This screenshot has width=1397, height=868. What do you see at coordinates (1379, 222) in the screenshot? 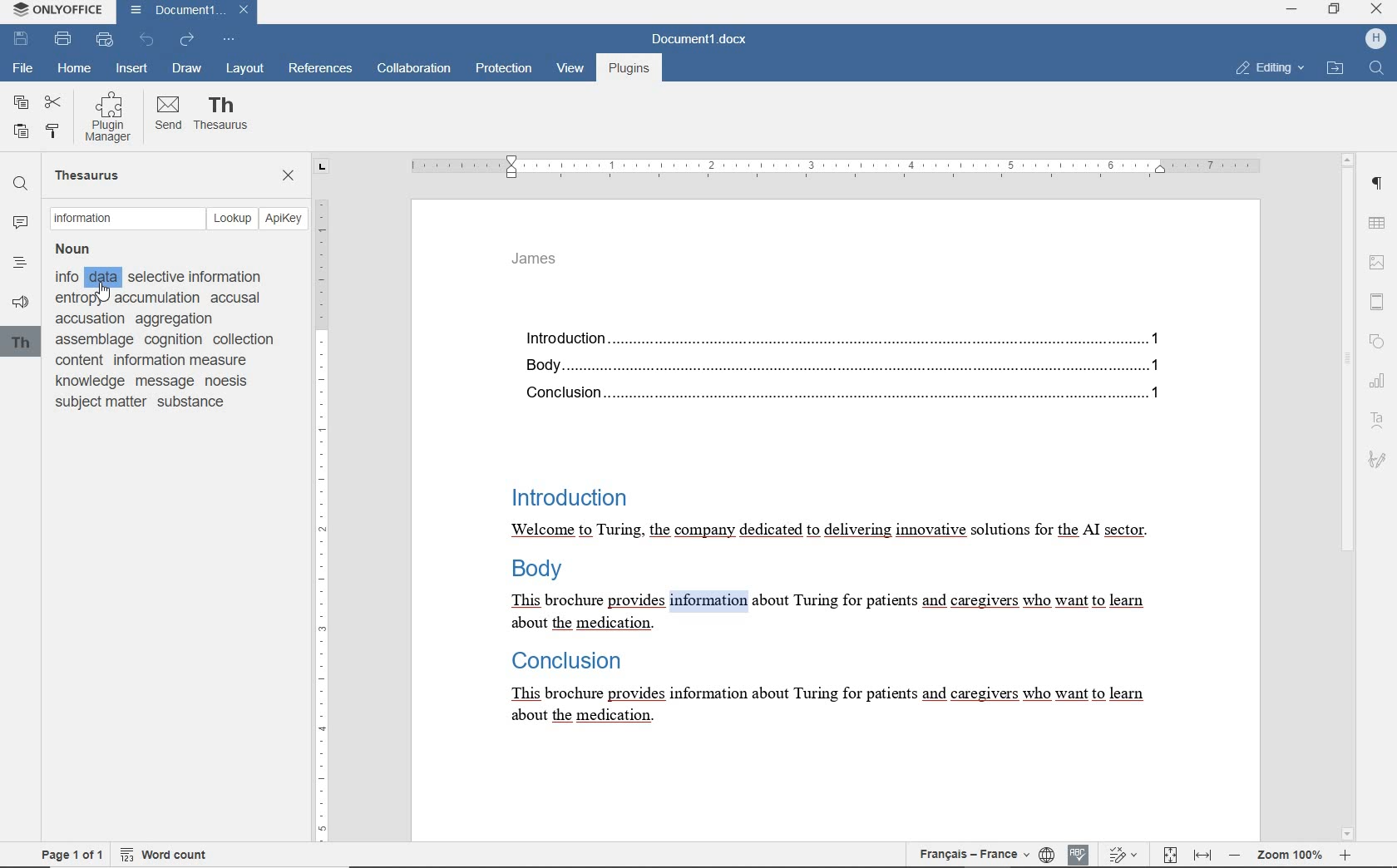
I see `TABLE` at bounding box center [1379, 222].